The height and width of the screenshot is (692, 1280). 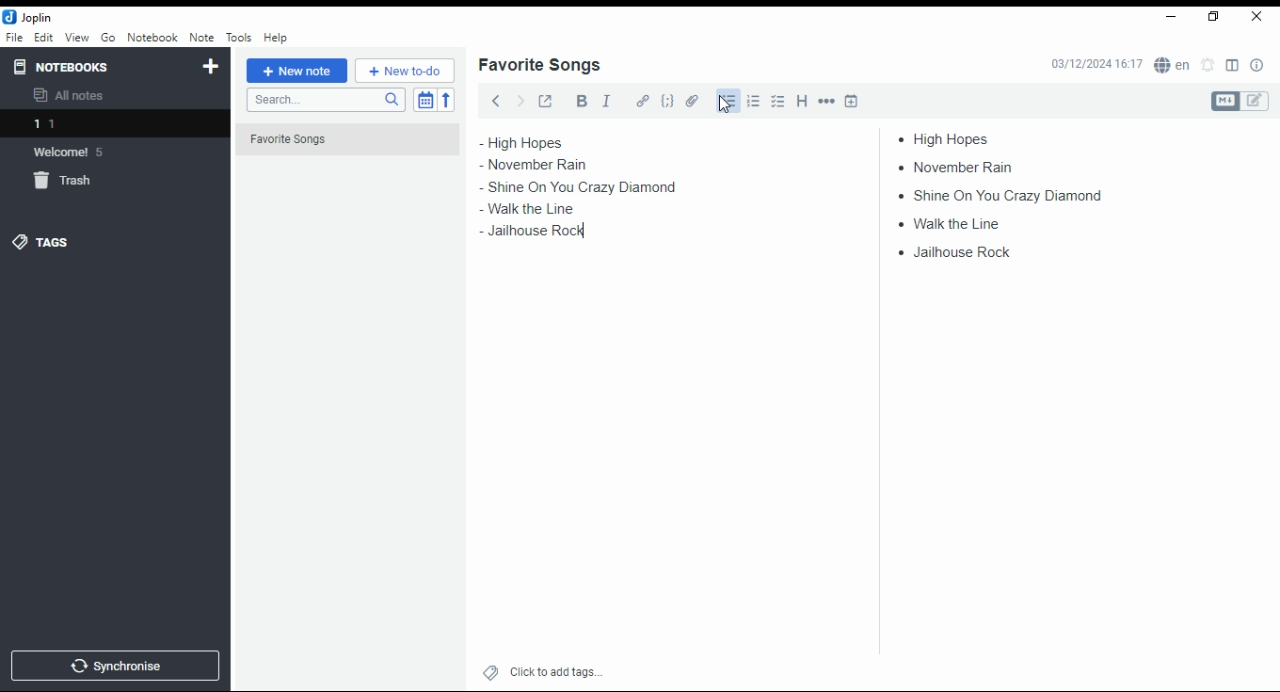 What do you see at coordinates (1240, 101) in the screenshot?
I see `toggle editors` at bounding box center [1240, 101].